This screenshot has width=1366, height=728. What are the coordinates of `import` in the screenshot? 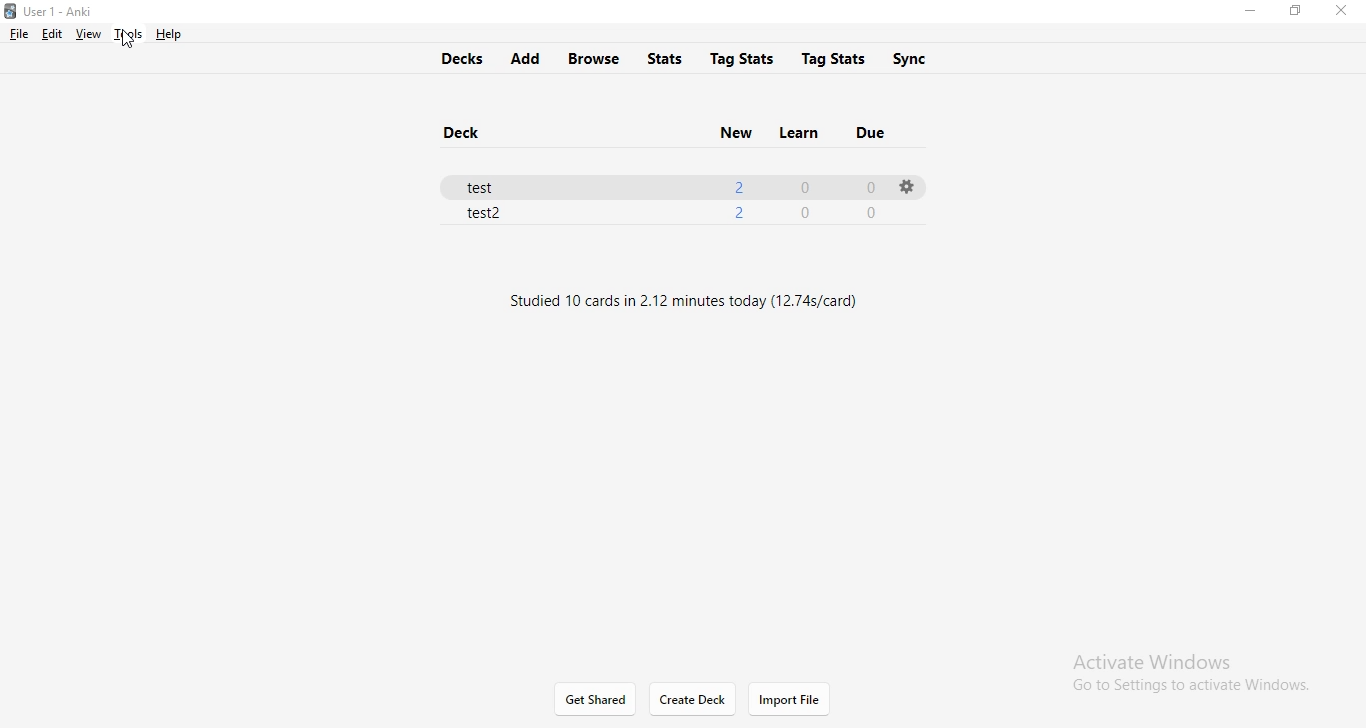 It's located at (789, 700).